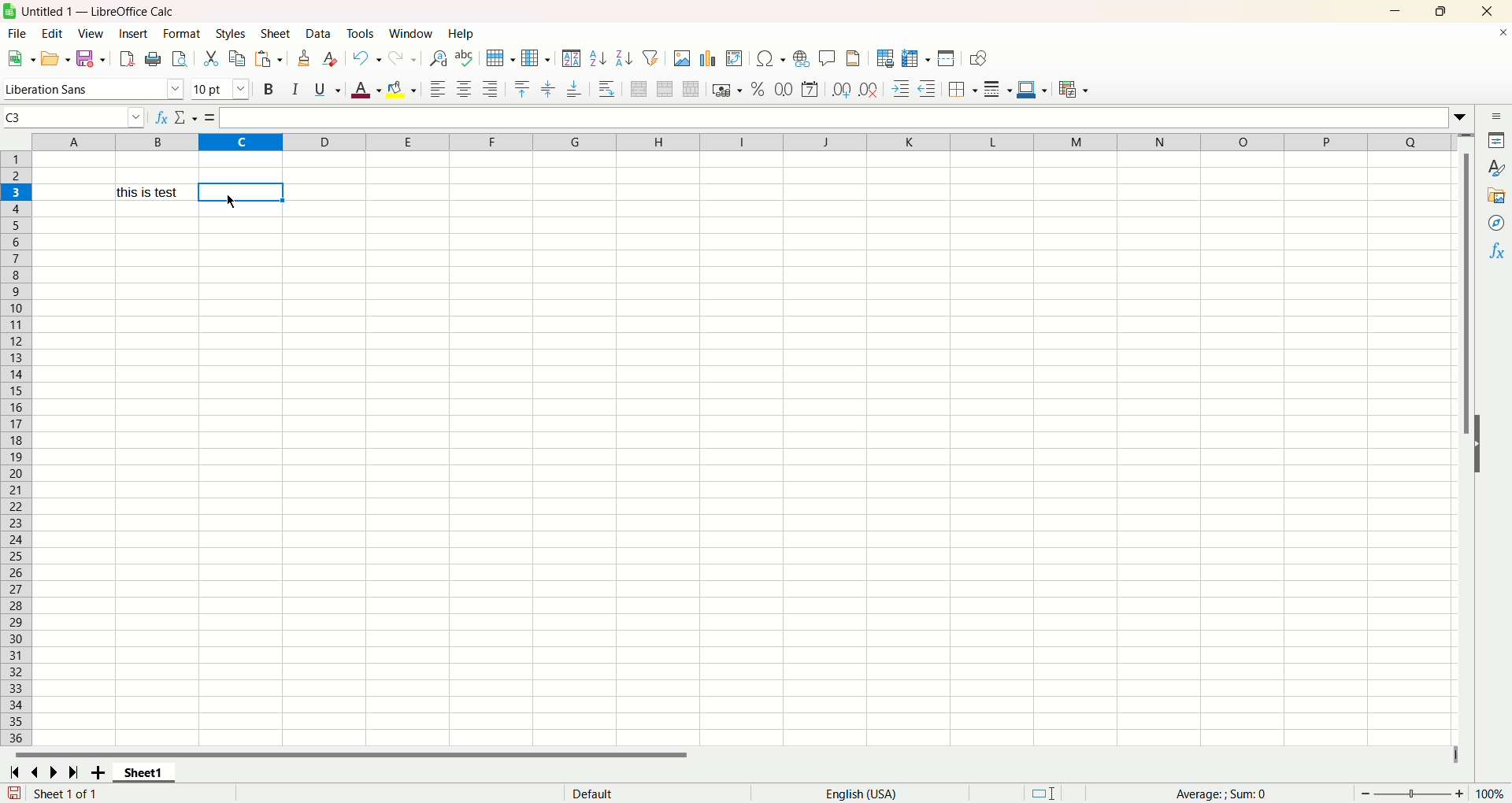 The image size is (1512, 803). Describe the element at coordinates (230, 35) in the screenshot. I see `styles` at that location.